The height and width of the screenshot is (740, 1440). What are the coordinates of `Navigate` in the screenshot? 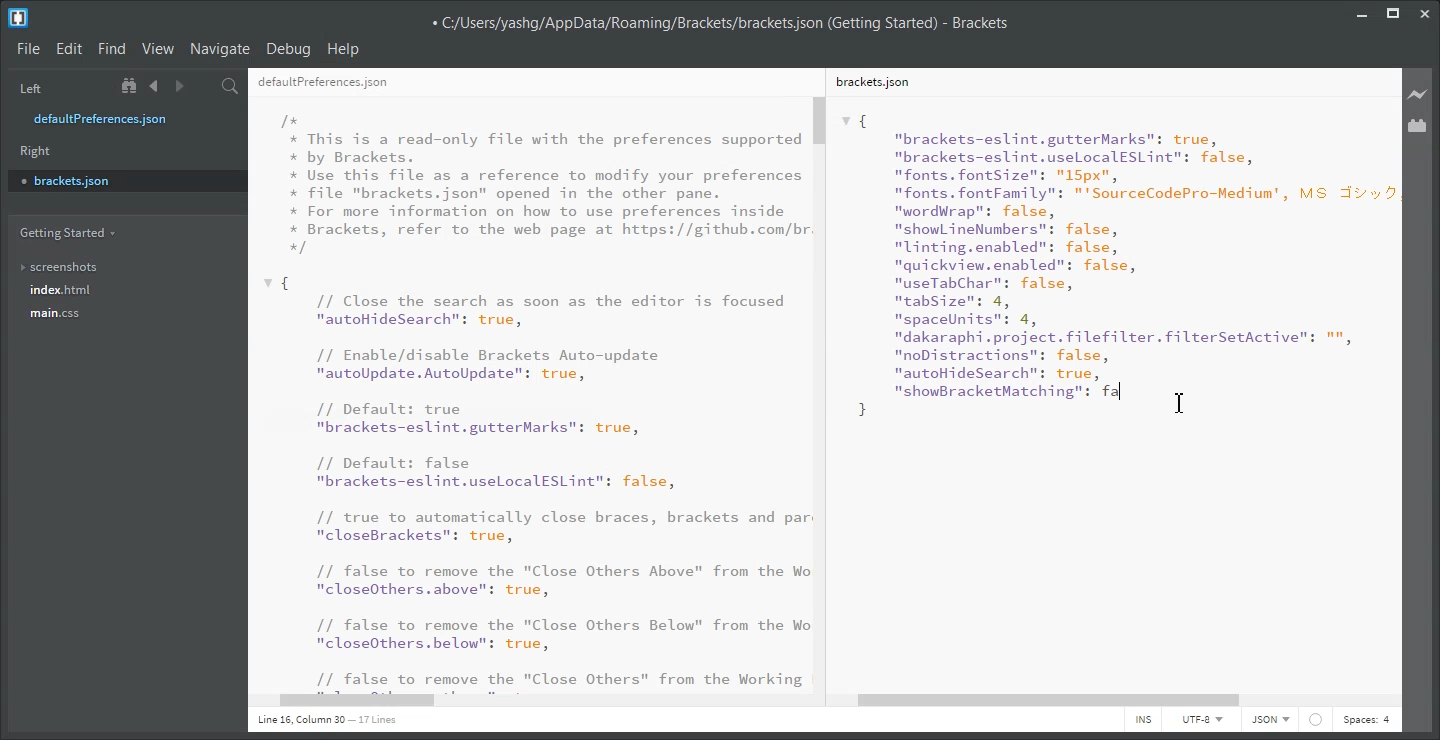 It's located at (221, 49).